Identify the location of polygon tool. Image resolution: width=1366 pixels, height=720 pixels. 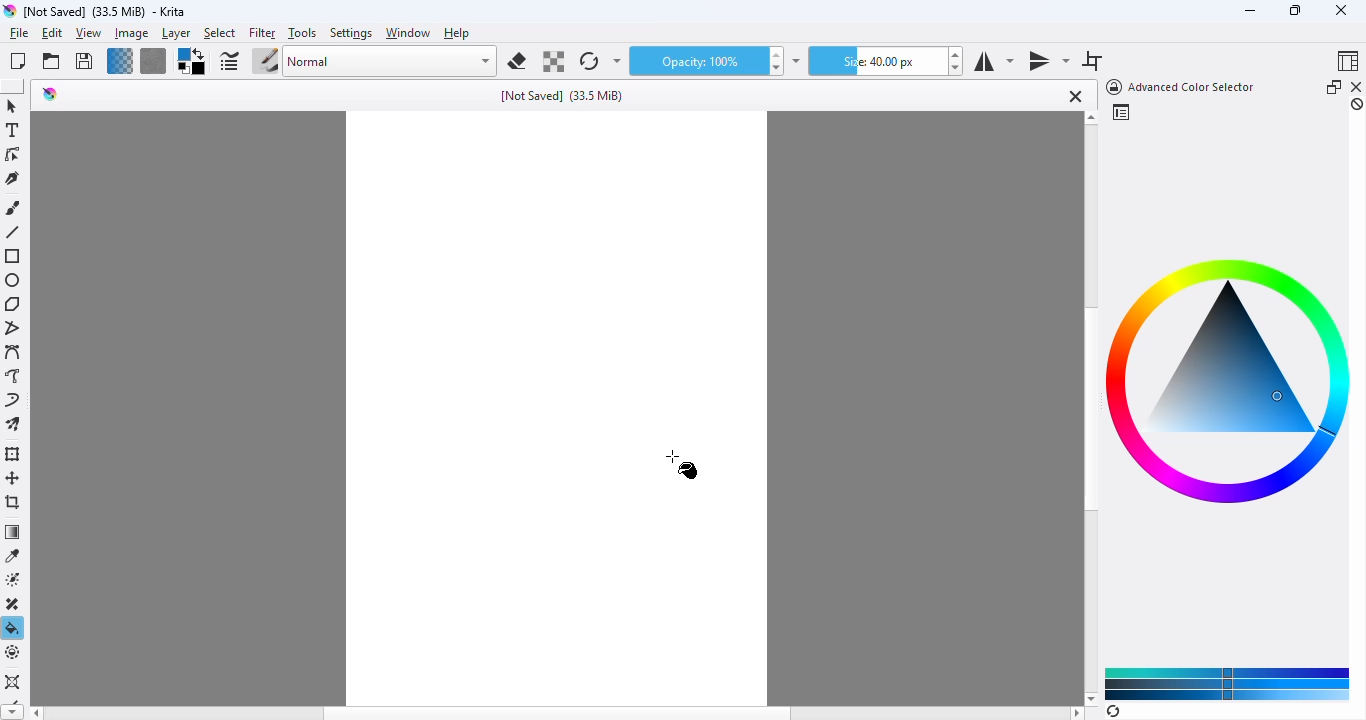
(12, 304).